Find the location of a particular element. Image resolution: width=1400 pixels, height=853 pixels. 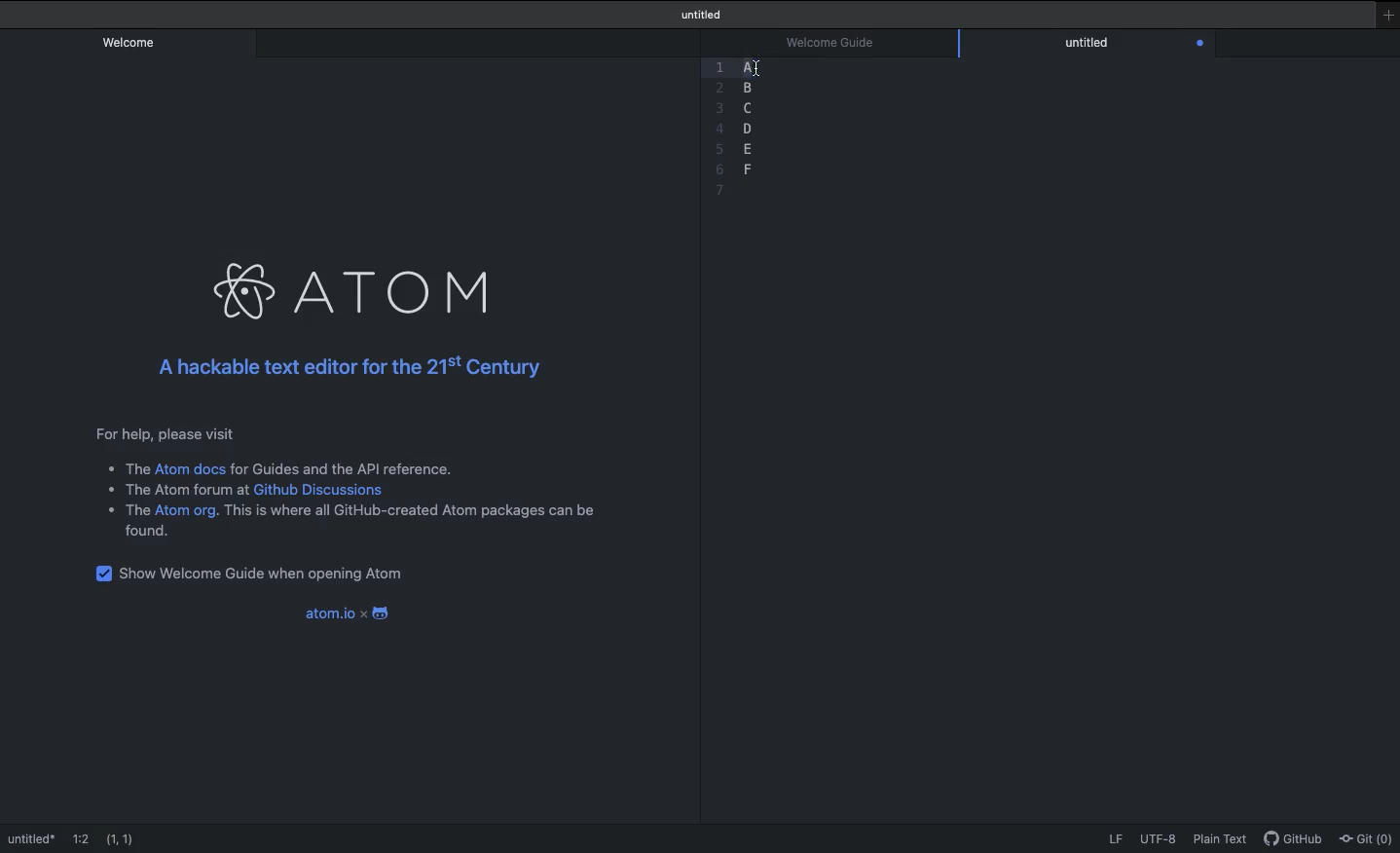

Atom.io x android  is located at coordinates (346, 609).